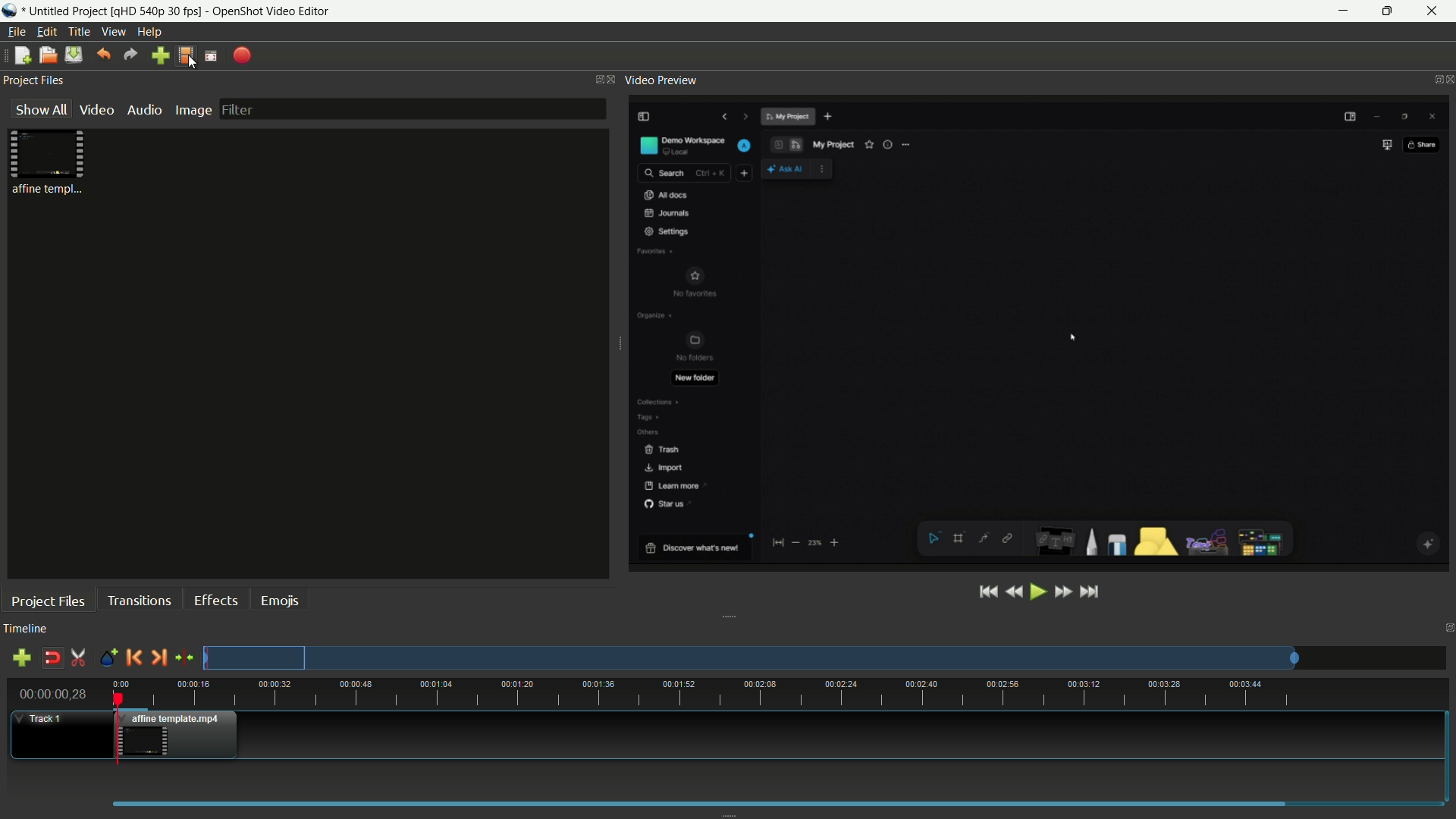  What do you see at coordinates (1447, 629) in the screenshot?
I see `close timeline` at bounding box center [1447, 629].